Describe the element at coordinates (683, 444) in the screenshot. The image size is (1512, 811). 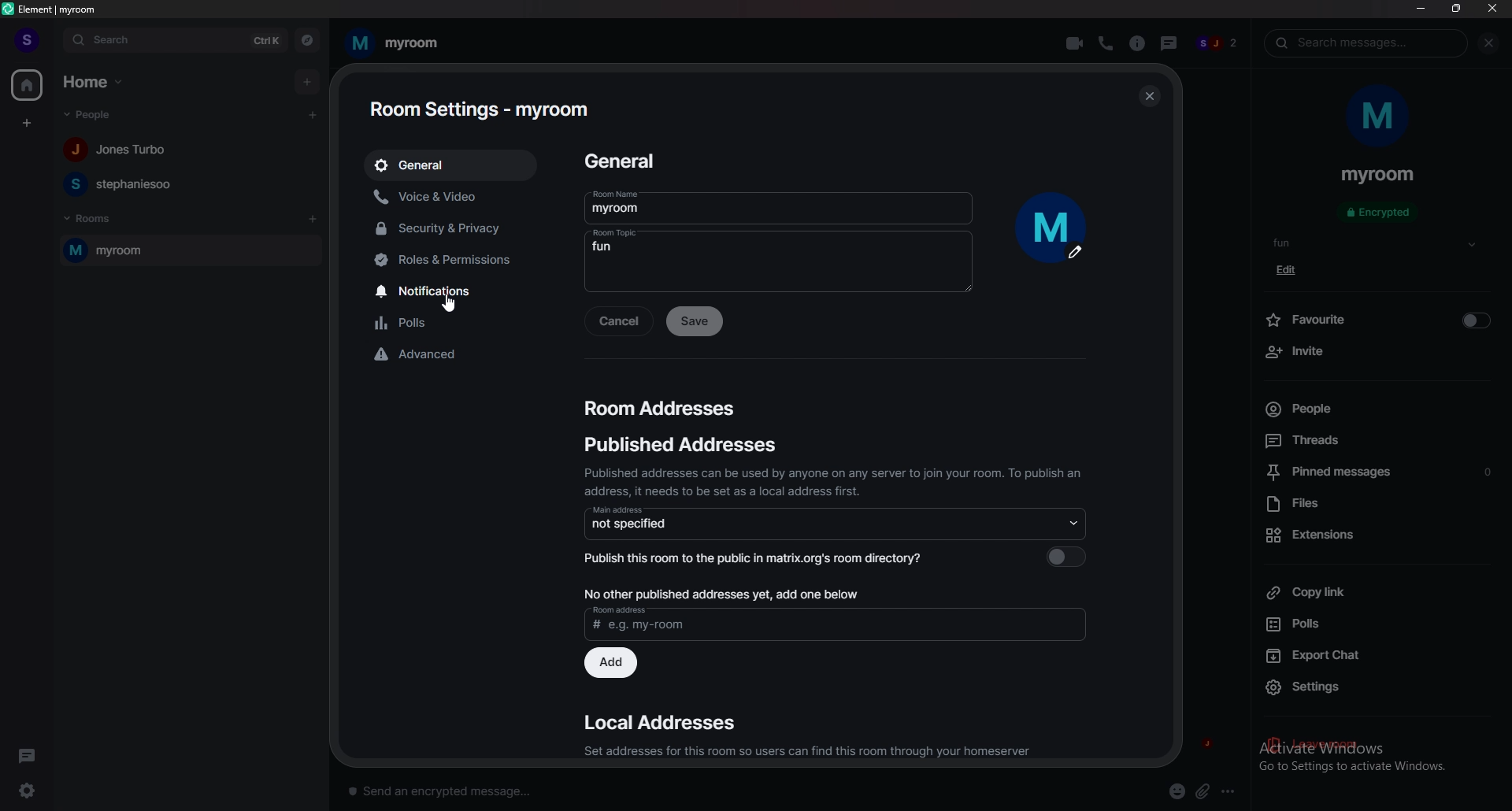
I see `published addresses` at that location.